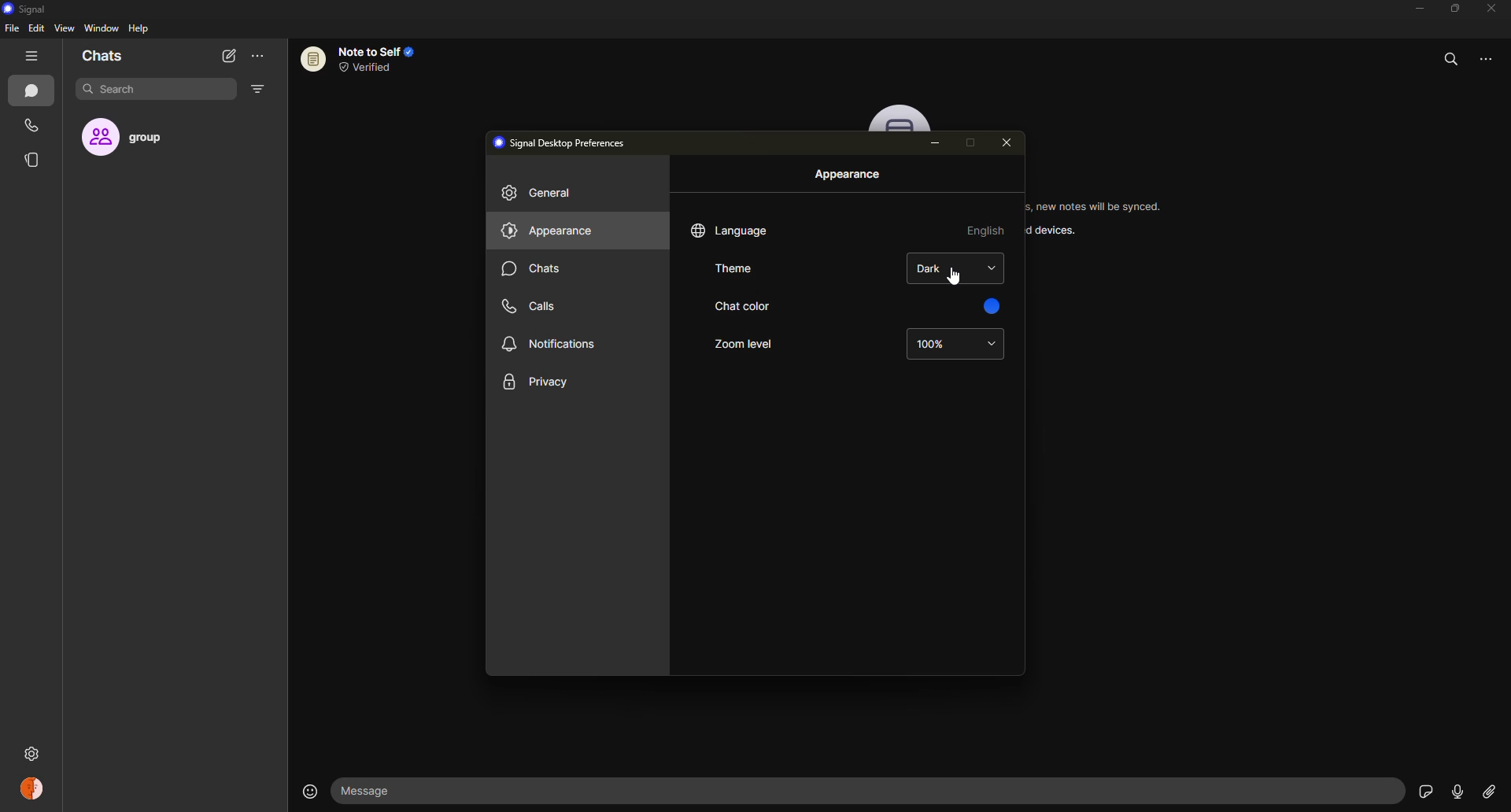 This screenshot has width=1511, height=812. Describe the element at coordinates (102, 57) in the screenshot. I see `chats` at that location.